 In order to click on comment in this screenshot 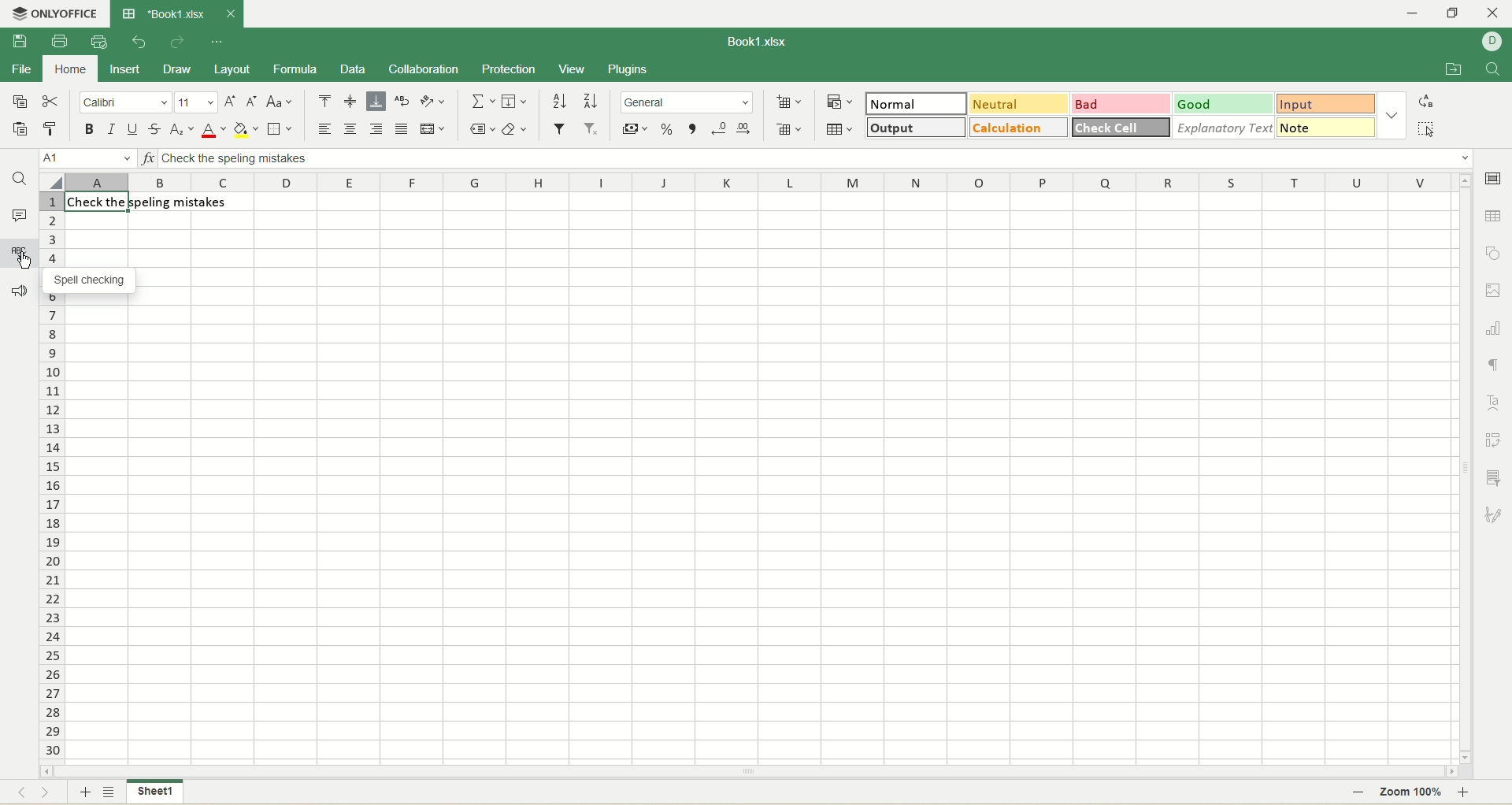, I will do `click(20, 216)`.